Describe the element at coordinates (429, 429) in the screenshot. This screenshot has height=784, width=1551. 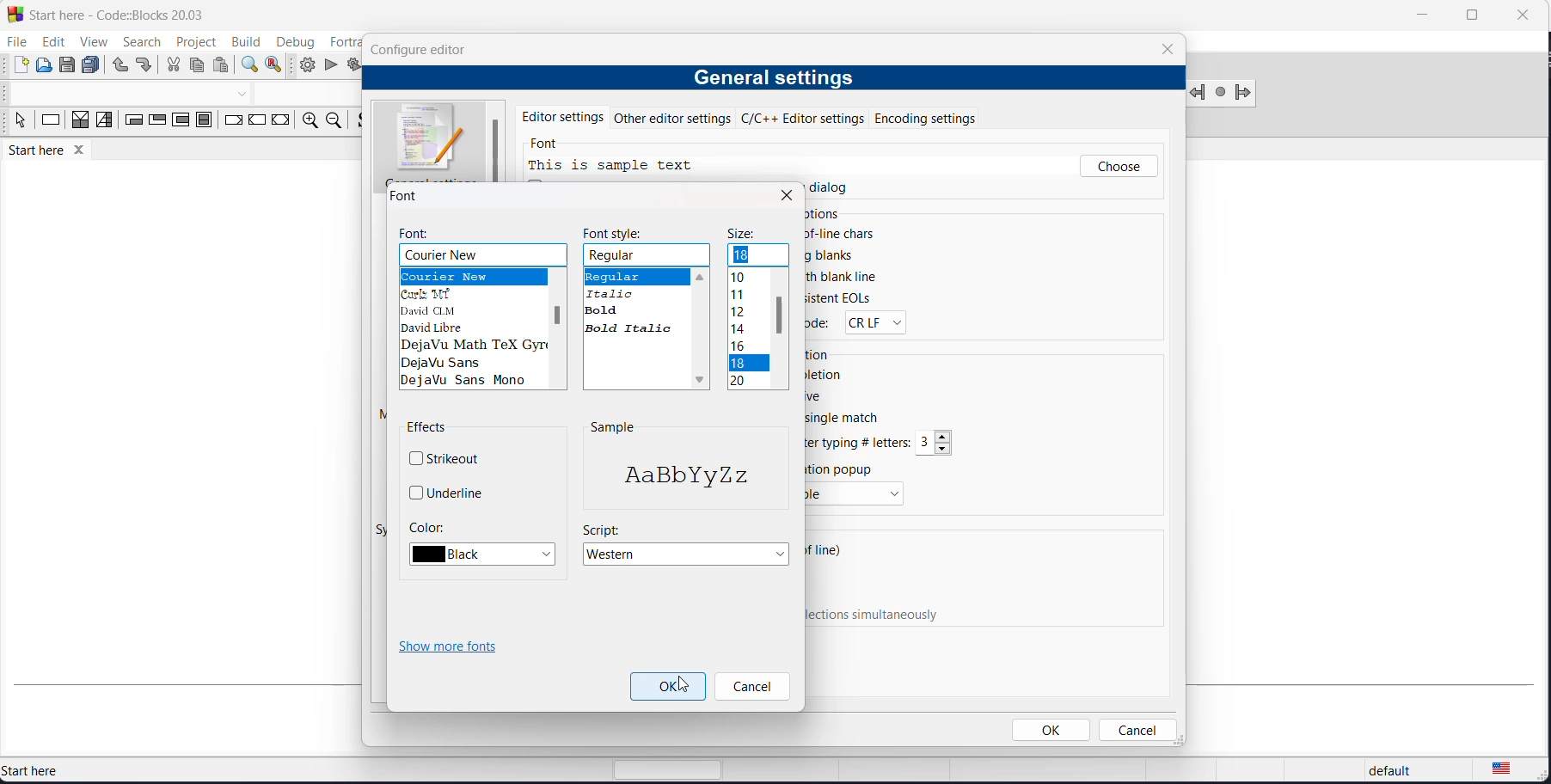
I see `effects` at that location.